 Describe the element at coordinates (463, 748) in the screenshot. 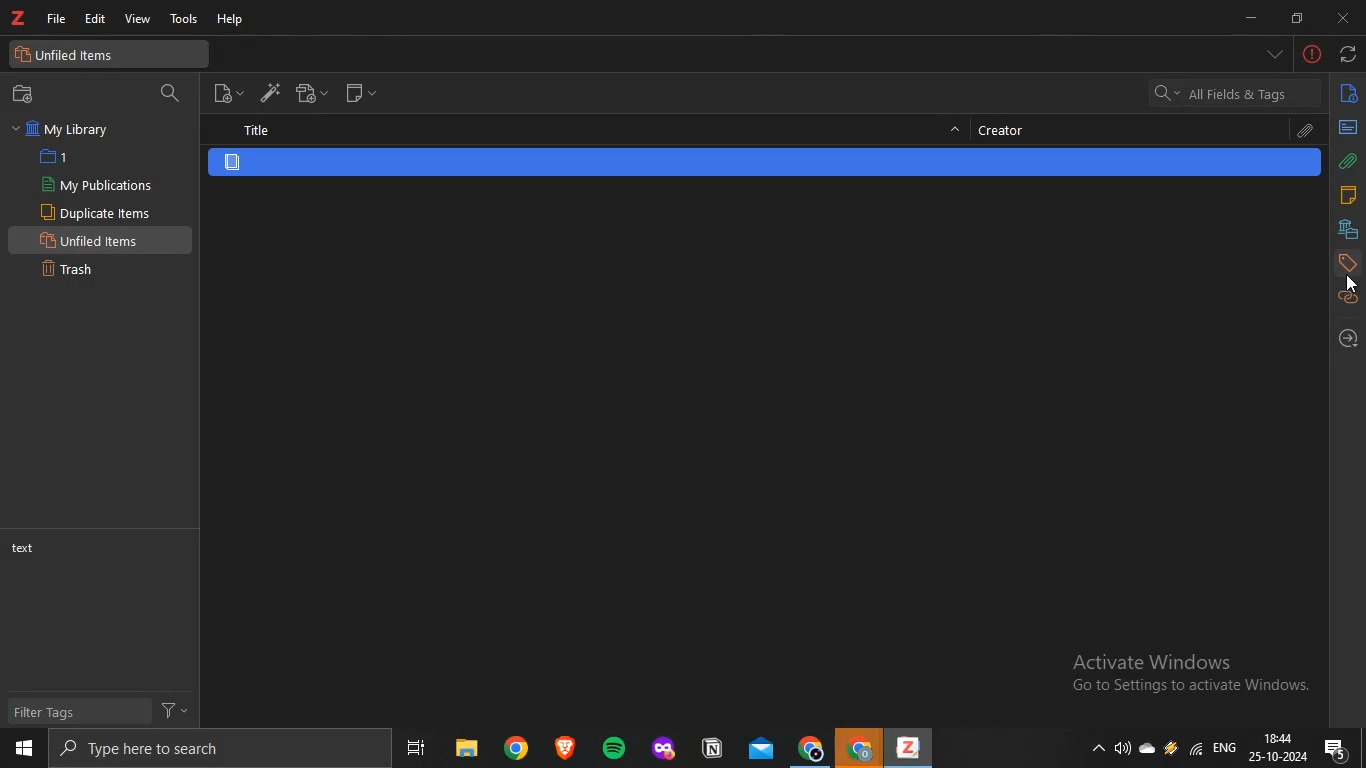

I see `files` at that location.